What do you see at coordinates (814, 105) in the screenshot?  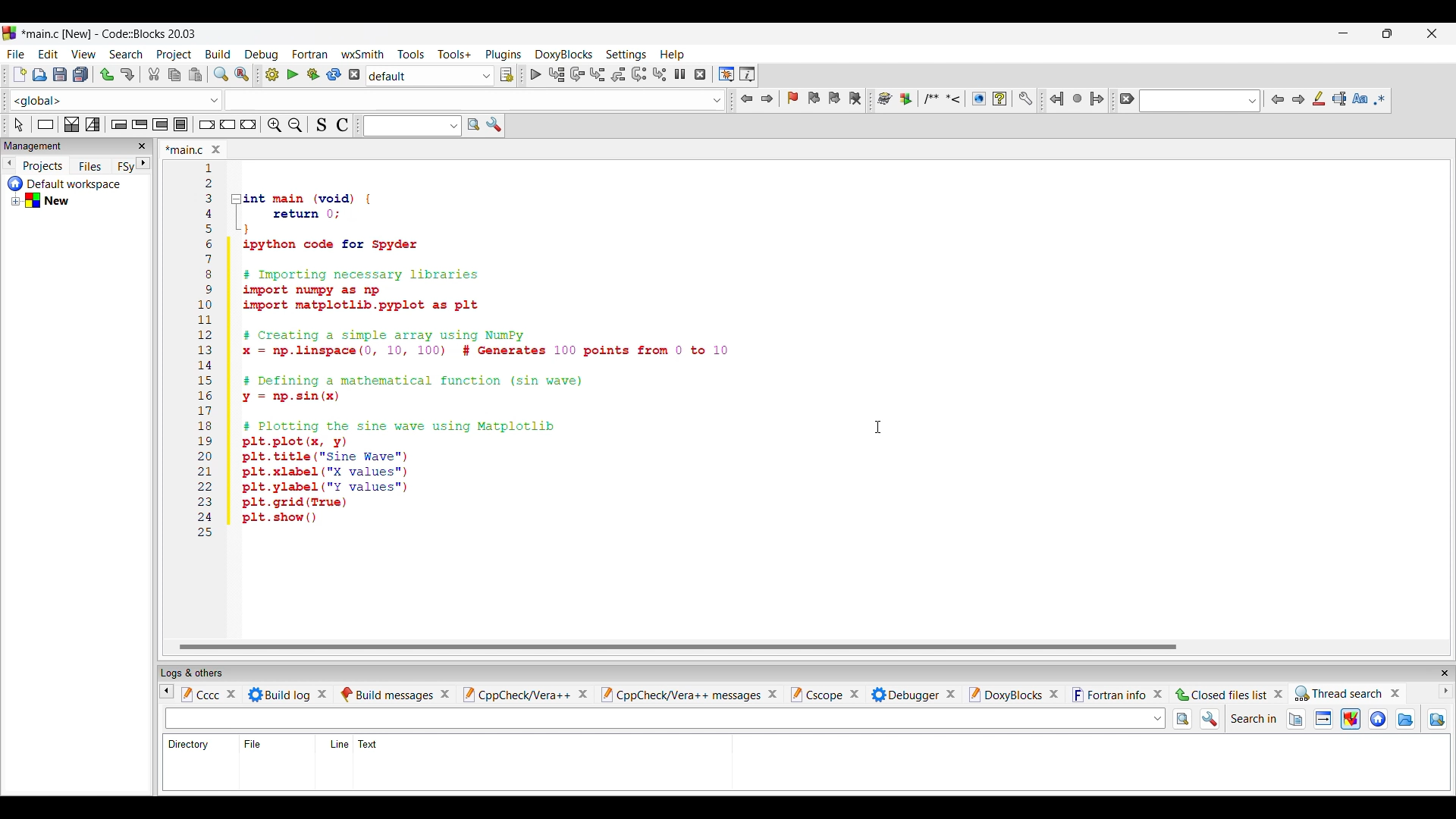 I see `Previous bookmark` at bounding box center [814, 105].